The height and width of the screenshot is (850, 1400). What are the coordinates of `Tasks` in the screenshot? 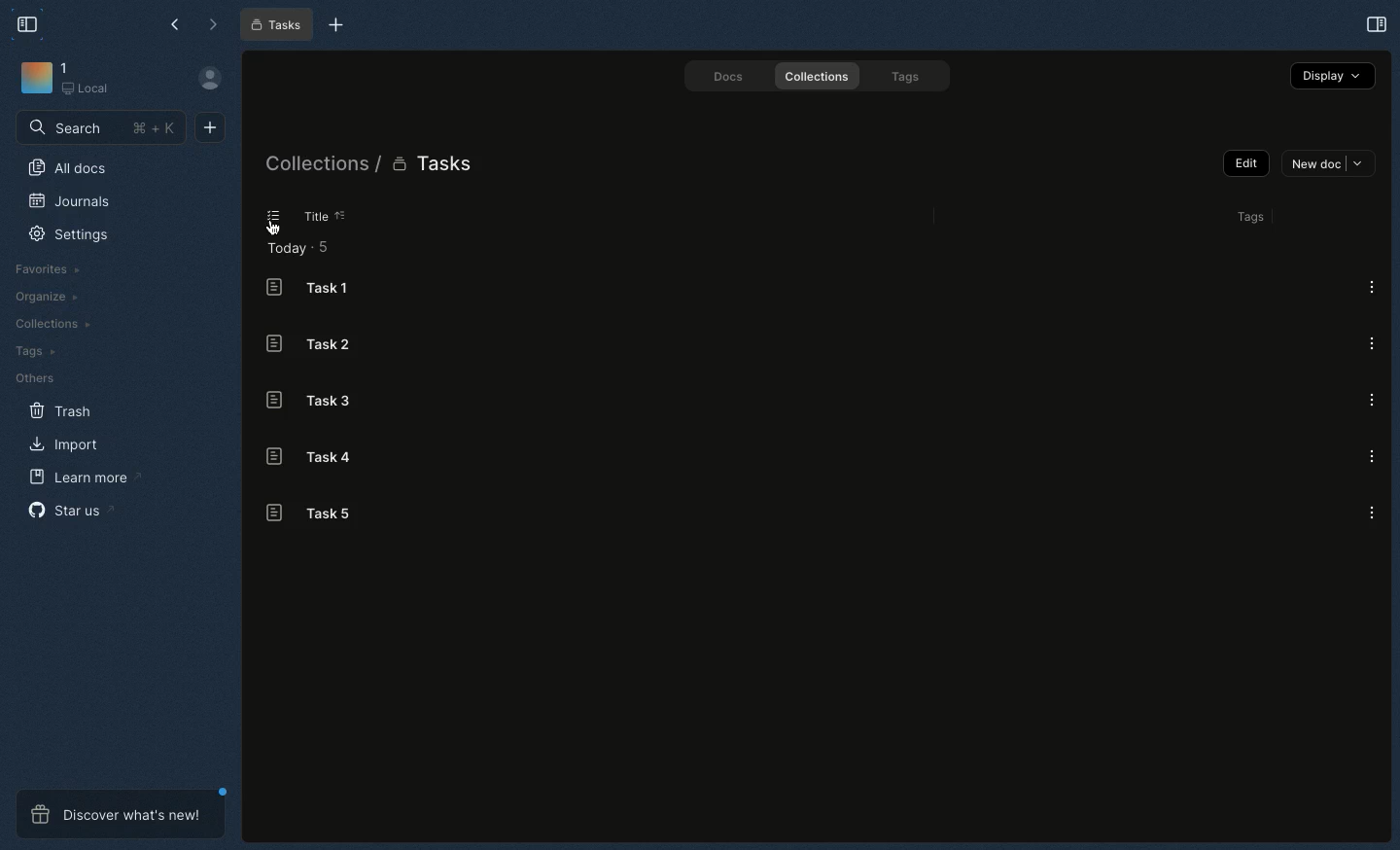 It's located at (436, 166).